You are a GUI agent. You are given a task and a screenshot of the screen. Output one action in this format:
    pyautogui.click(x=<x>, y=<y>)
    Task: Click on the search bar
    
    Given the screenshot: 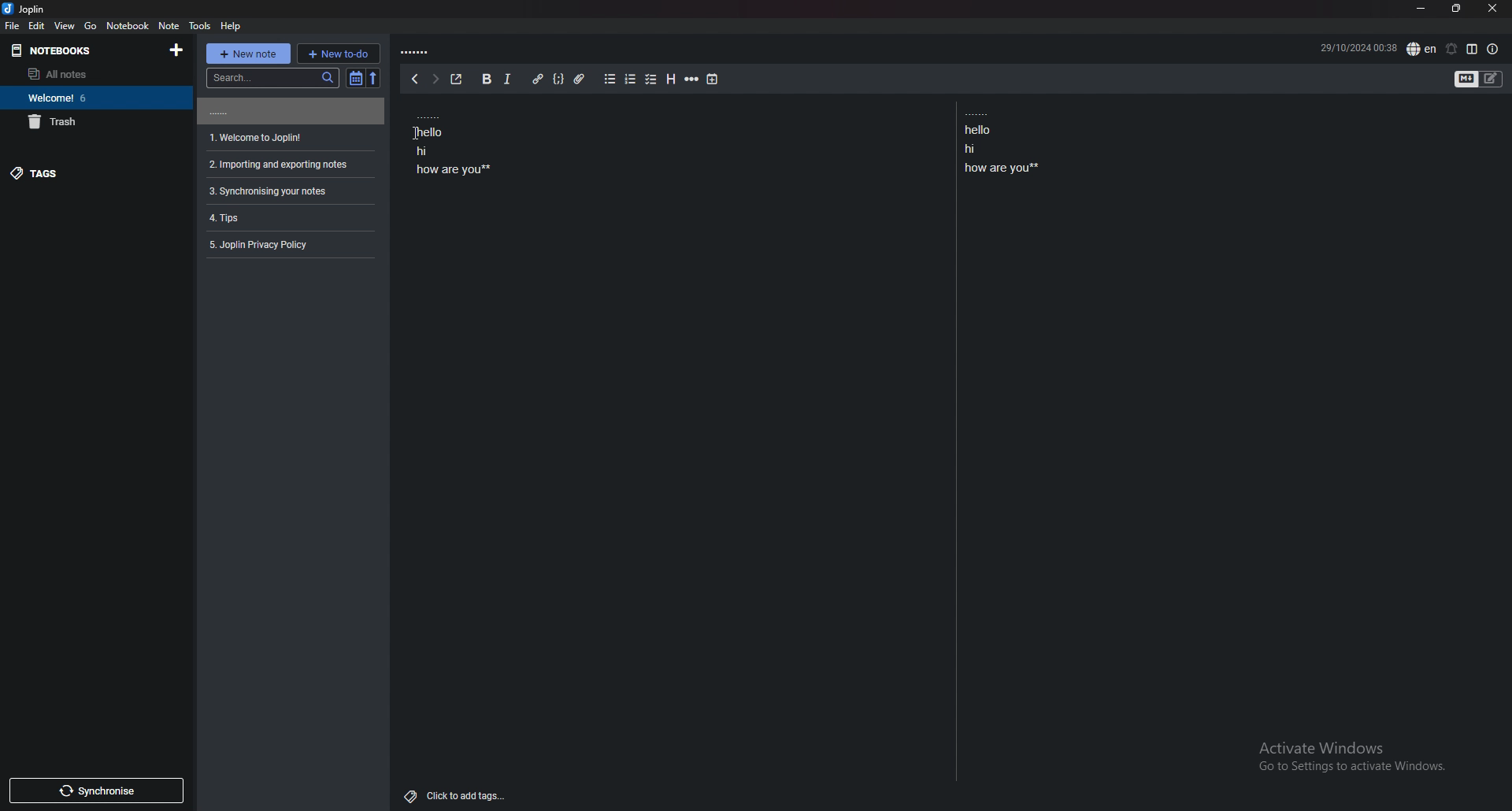 What is the action you would take?
    pyautogui.click(x=272, y=77)
    